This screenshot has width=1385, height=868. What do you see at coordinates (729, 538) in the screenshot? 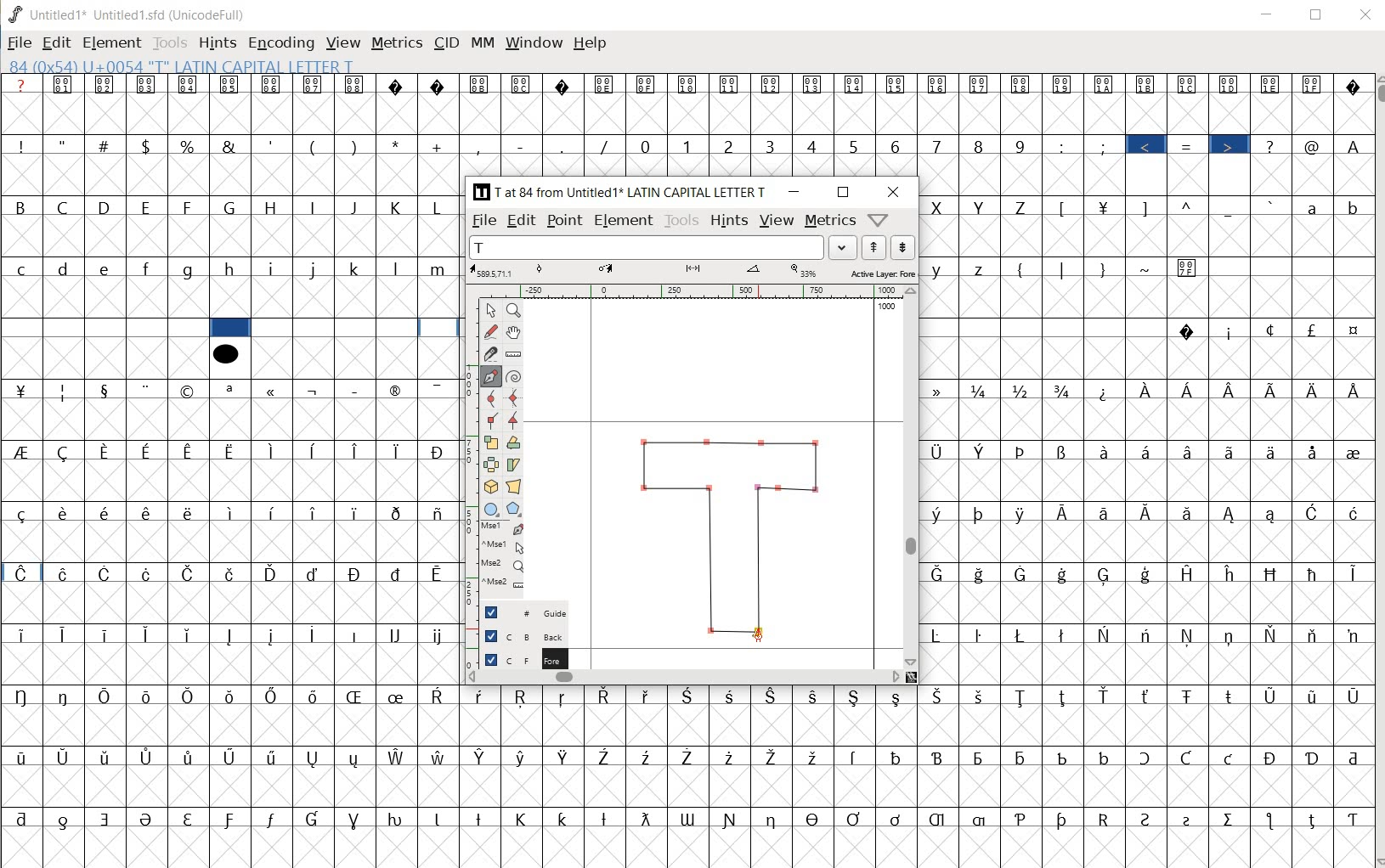
I see `glyph letter T` at bounding box center [729, 538].